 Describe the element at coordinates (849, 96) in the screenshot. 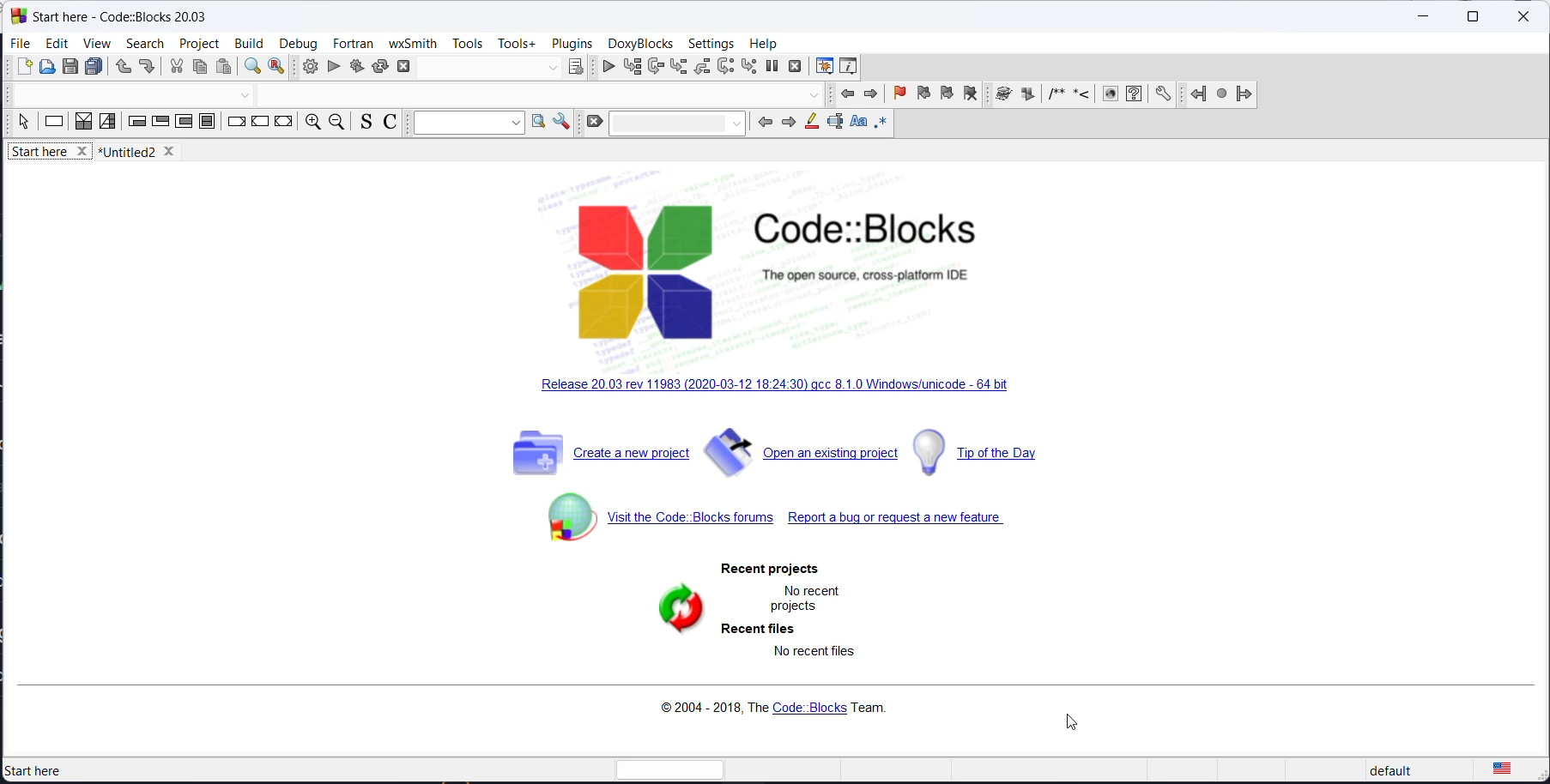

I see `previous` at that location.